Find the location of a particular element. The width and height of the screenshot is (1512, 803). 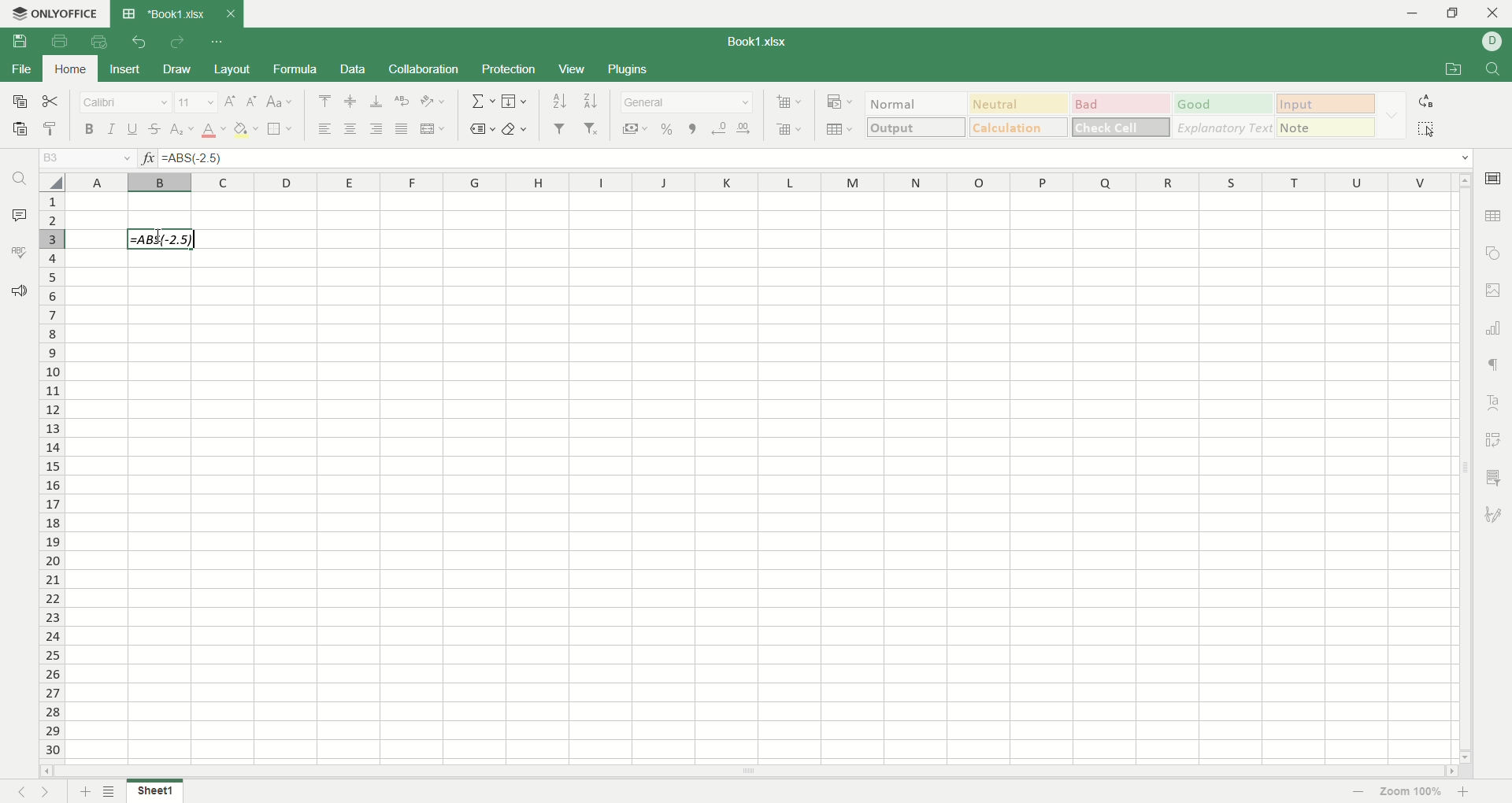

percent style is located at coordinates (666, 130).